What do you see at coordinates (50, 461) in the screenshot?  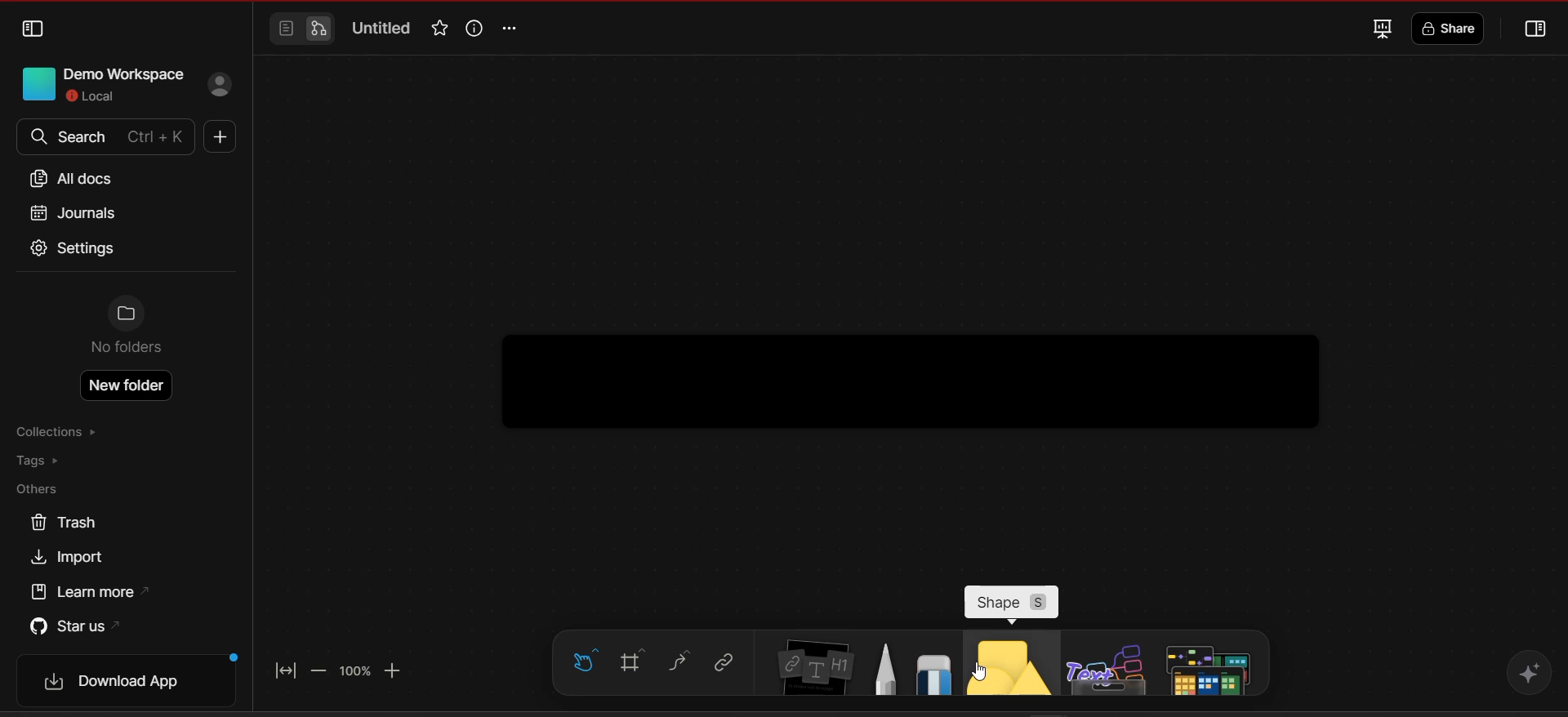 I see `tags` at bounding box center [50, 461].